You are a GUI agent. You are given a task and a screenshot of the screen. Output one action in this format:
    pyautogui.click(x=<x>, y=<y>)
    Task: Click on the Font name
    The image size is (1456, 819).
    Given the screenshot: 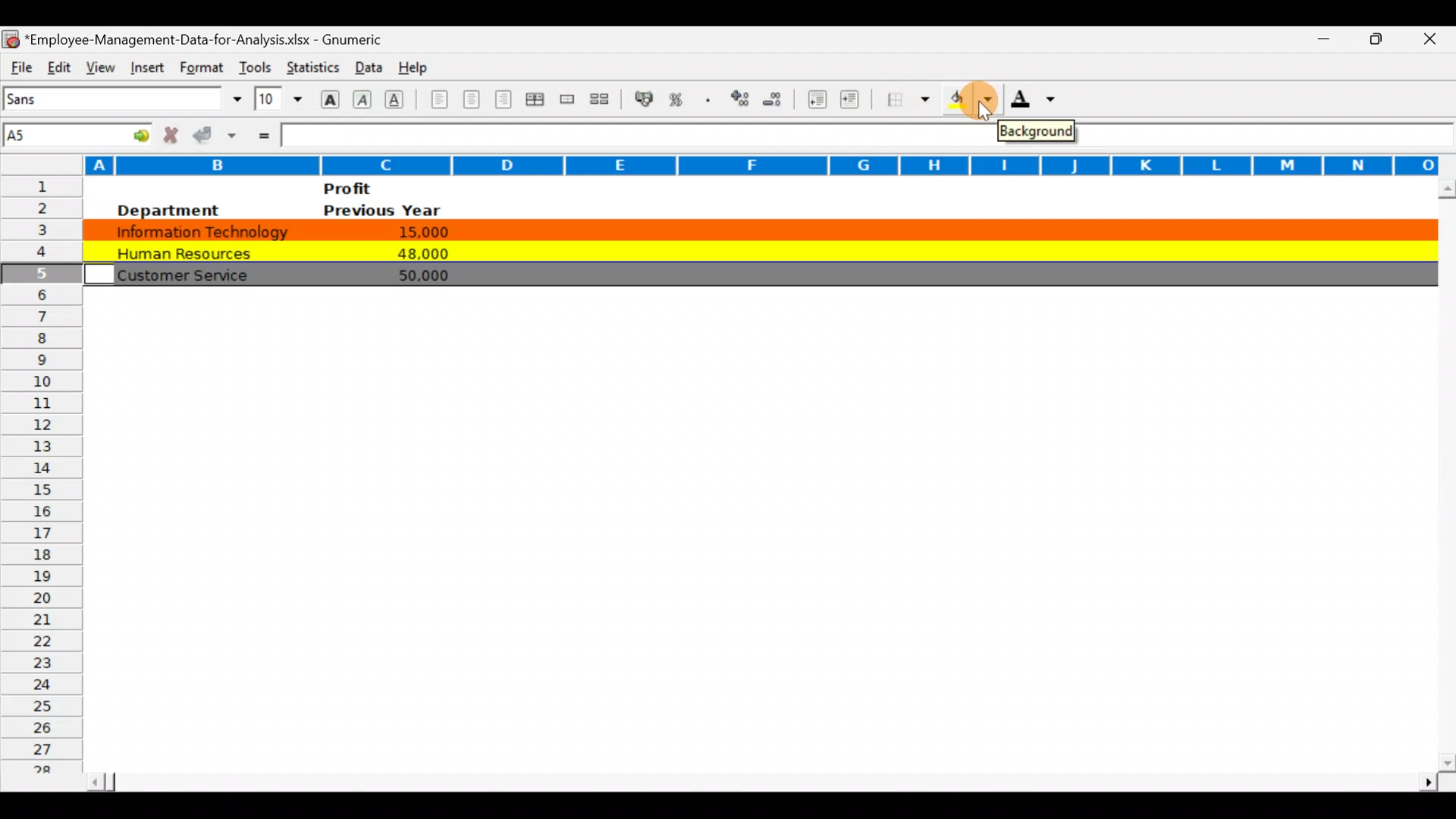 What is the action you would take?
    pyautogui.click(x=124, y=99)
    